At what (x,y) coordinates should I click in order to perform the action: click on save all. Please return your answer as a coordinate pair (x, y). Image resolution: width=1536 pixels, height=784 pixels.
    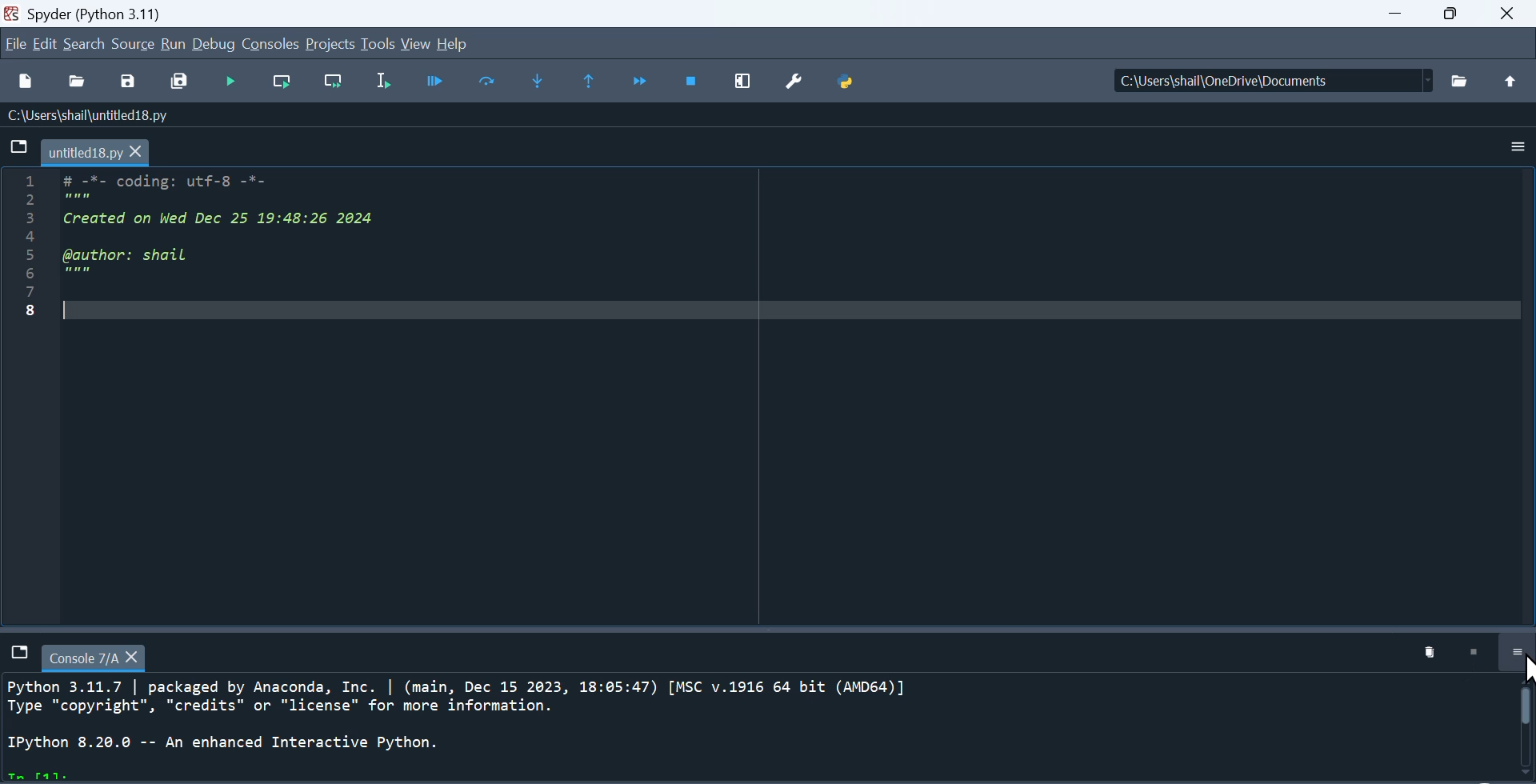
    Looking at the image, I should click on (183, 82).